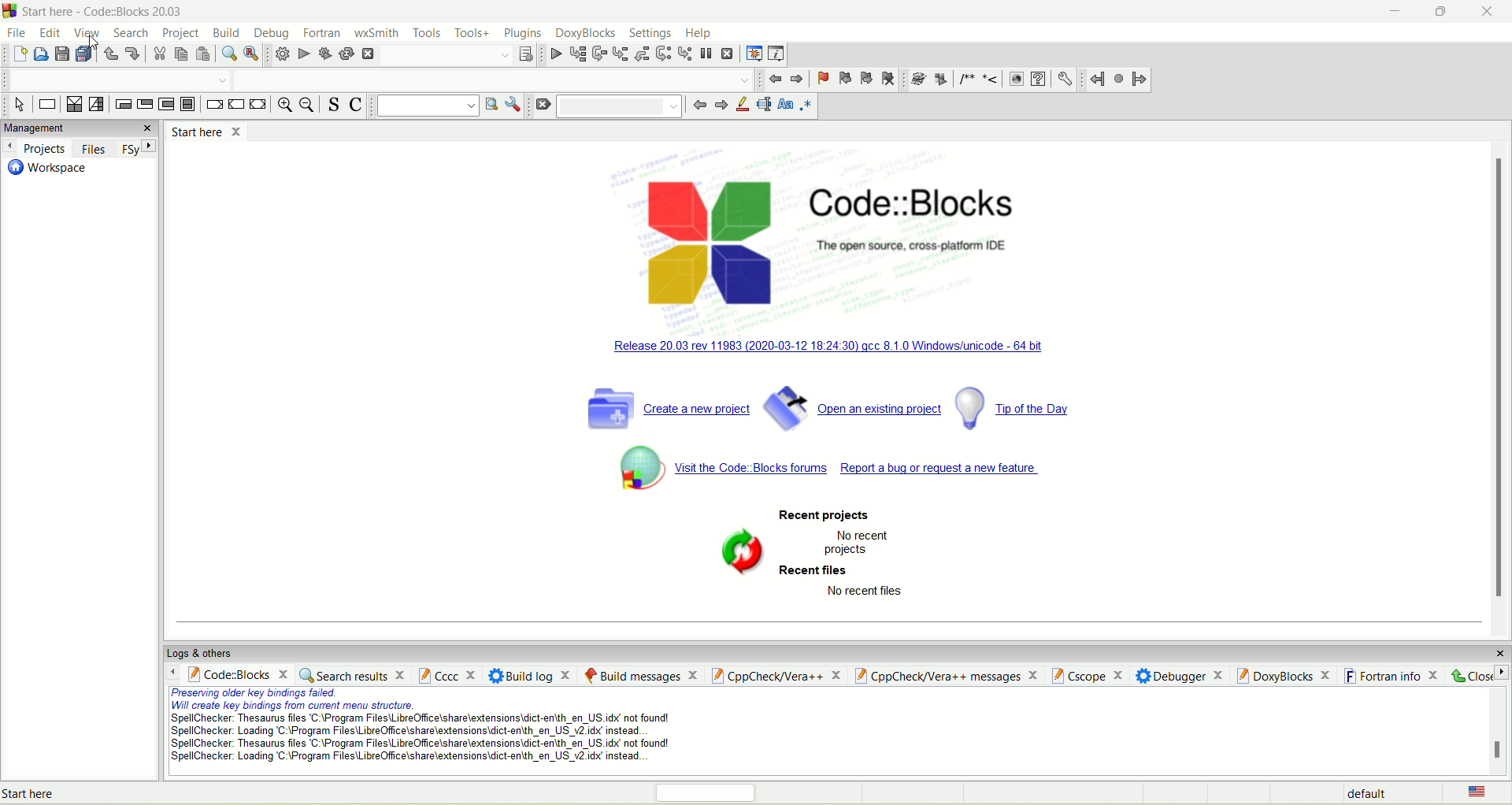 The width and height of the screenshot is (1512, 805). What do you see at coordinates (355, 675) in the screenshot?
I see `search results` at bounding box center [355, 675].